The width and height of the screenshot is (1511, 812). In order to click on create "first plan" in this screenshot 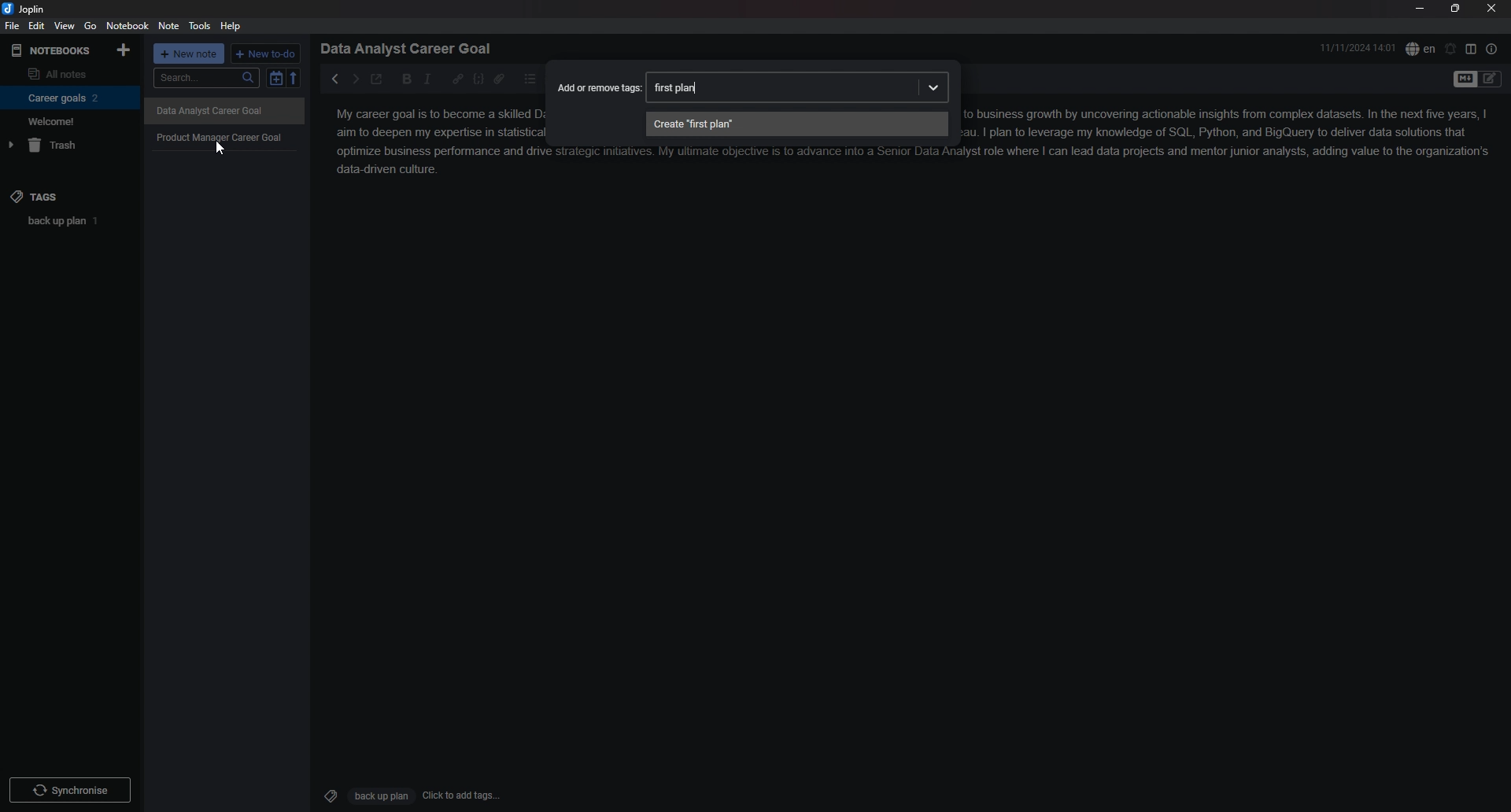, I will do `click(798, 123)`.